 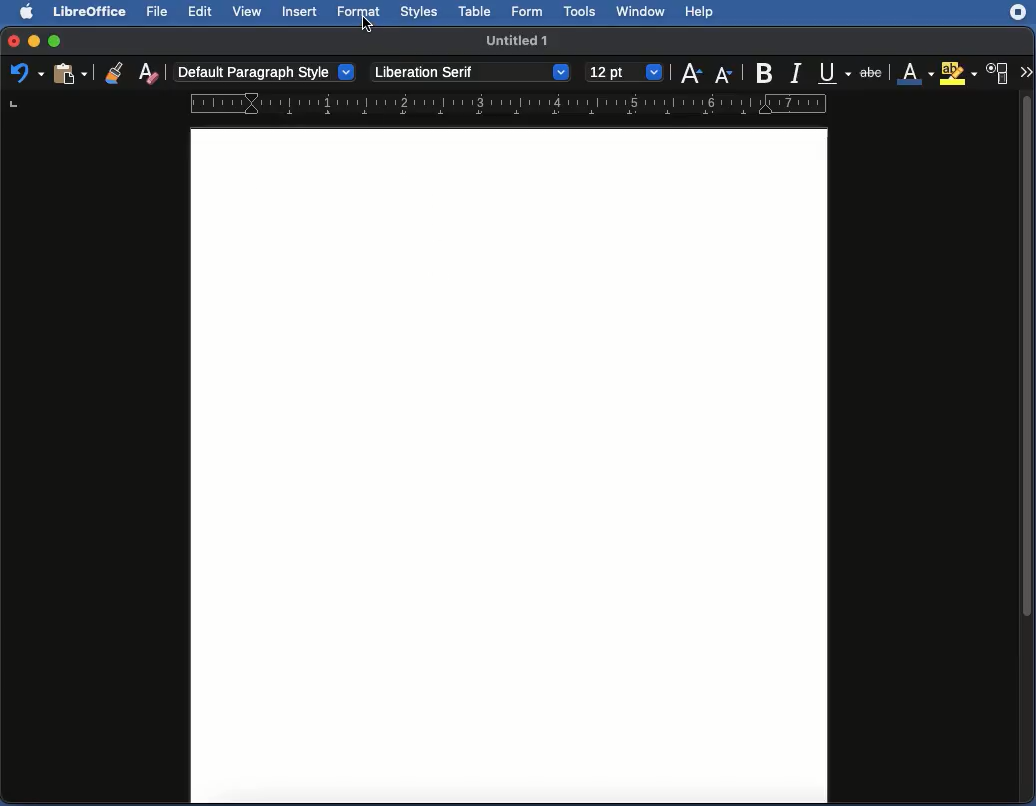 What do you see at coordinates (510, 466) in the screenshot?
I see `Portrait canvas` at bounding box center [510, 466].